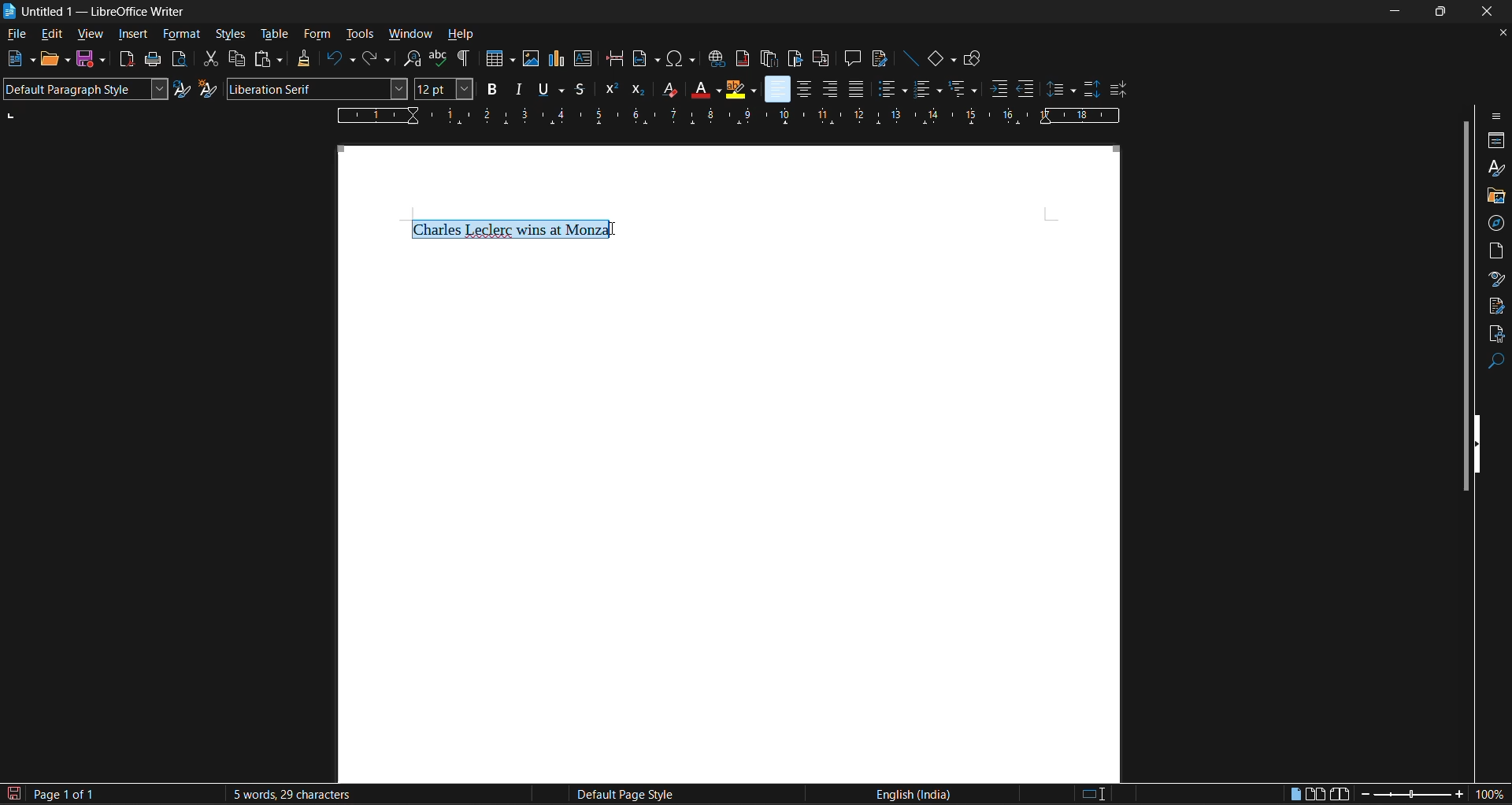 The image size is (1512, 805). Describe the element at coordinates (614, 58) in the screenshot. I see `insert page break` at that location.